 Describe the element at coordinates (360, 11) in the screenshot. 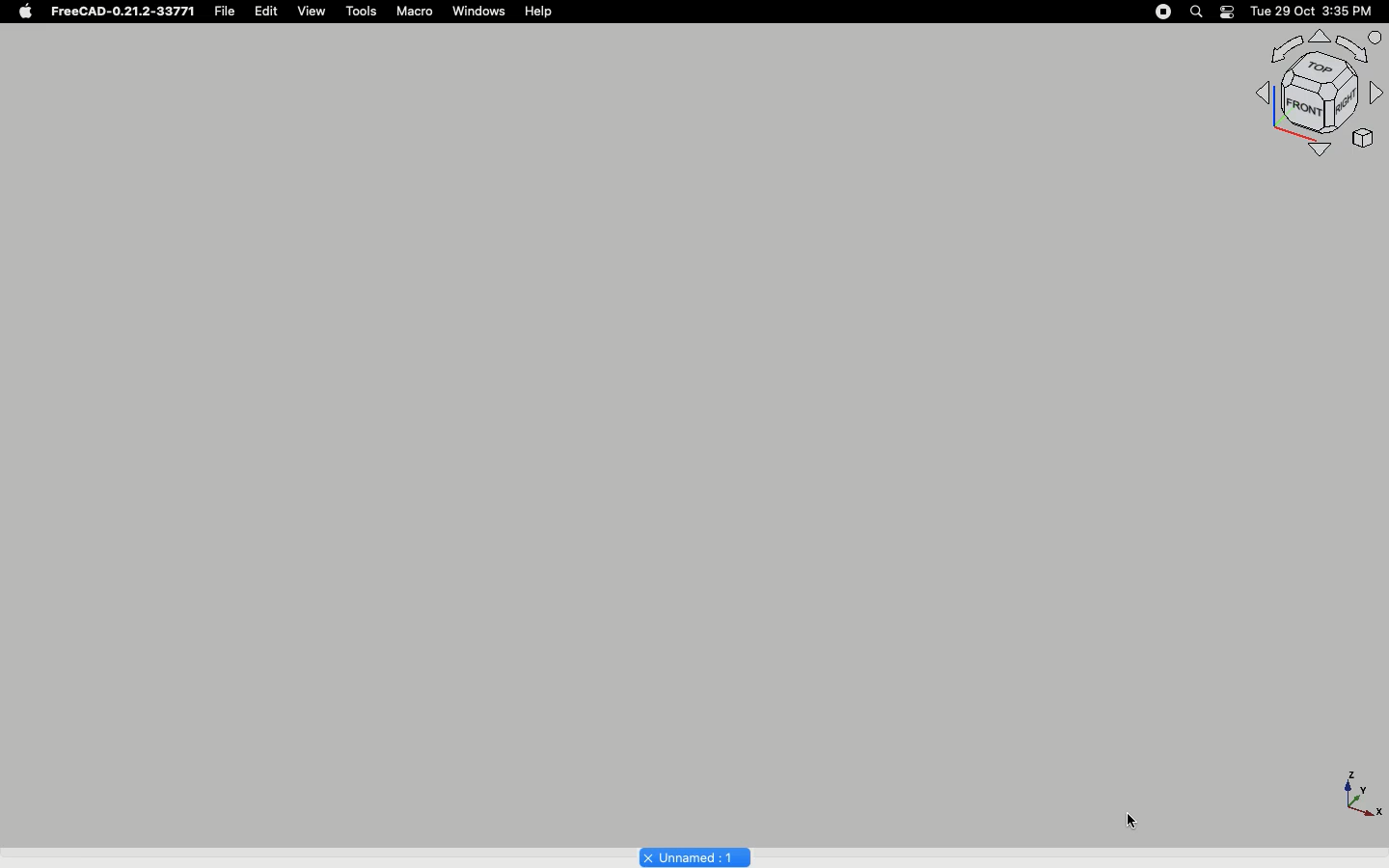

I see `tools` at that location.